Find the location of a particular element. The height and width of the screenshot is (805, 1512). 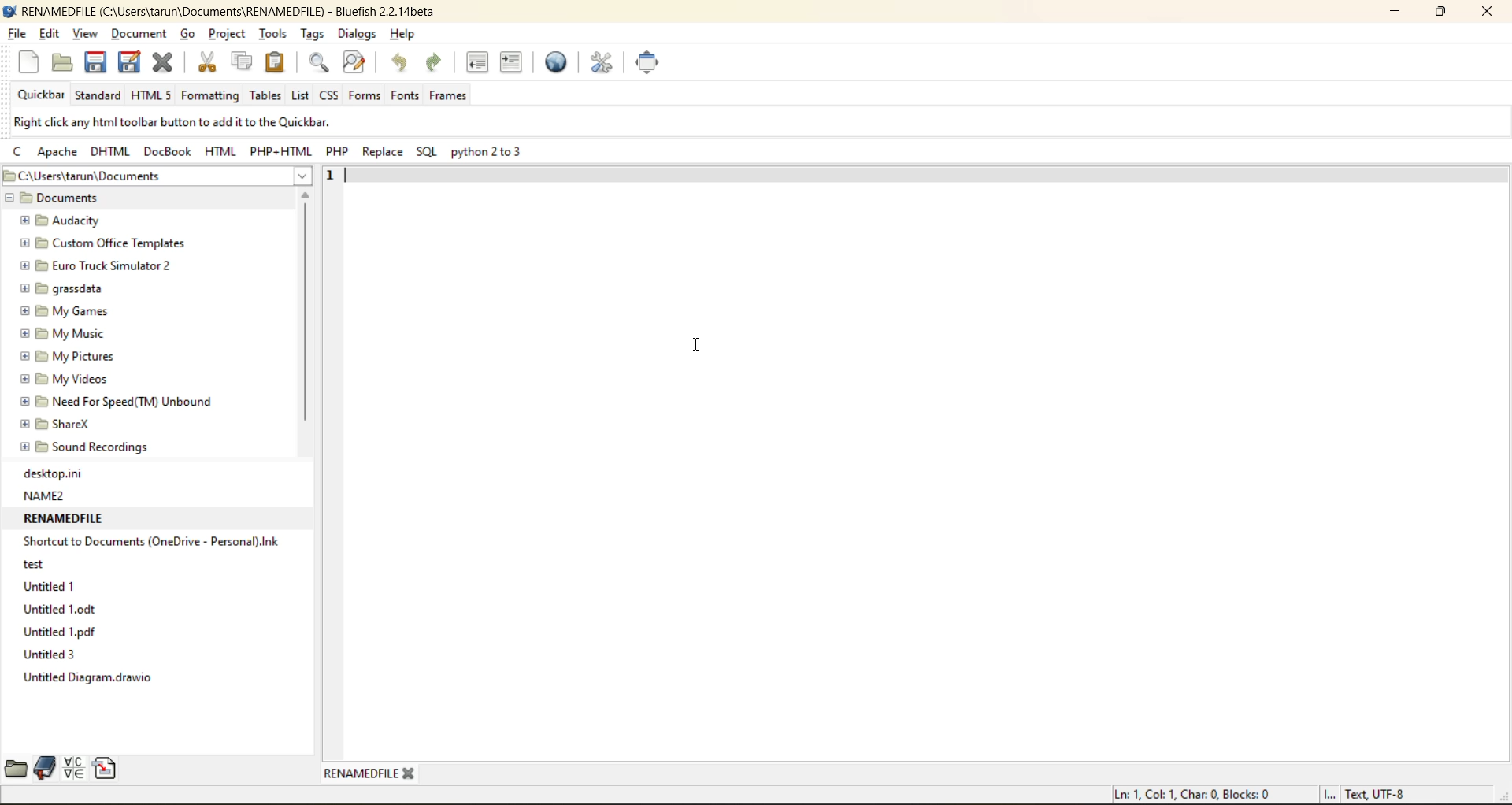

project is located at coordinates (230, 35).